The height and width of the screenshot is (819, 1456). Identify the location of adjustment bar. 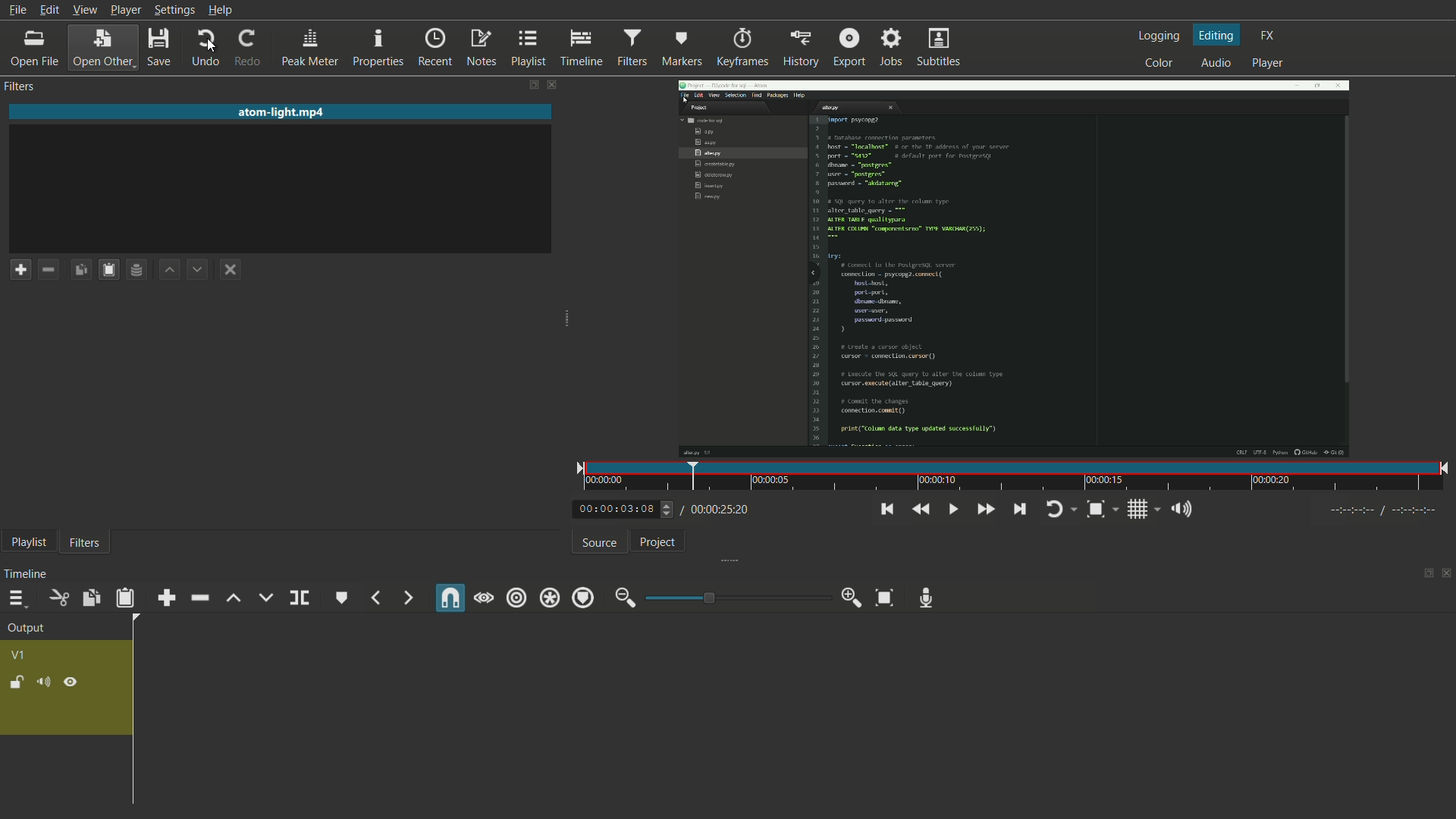
(738, 598).